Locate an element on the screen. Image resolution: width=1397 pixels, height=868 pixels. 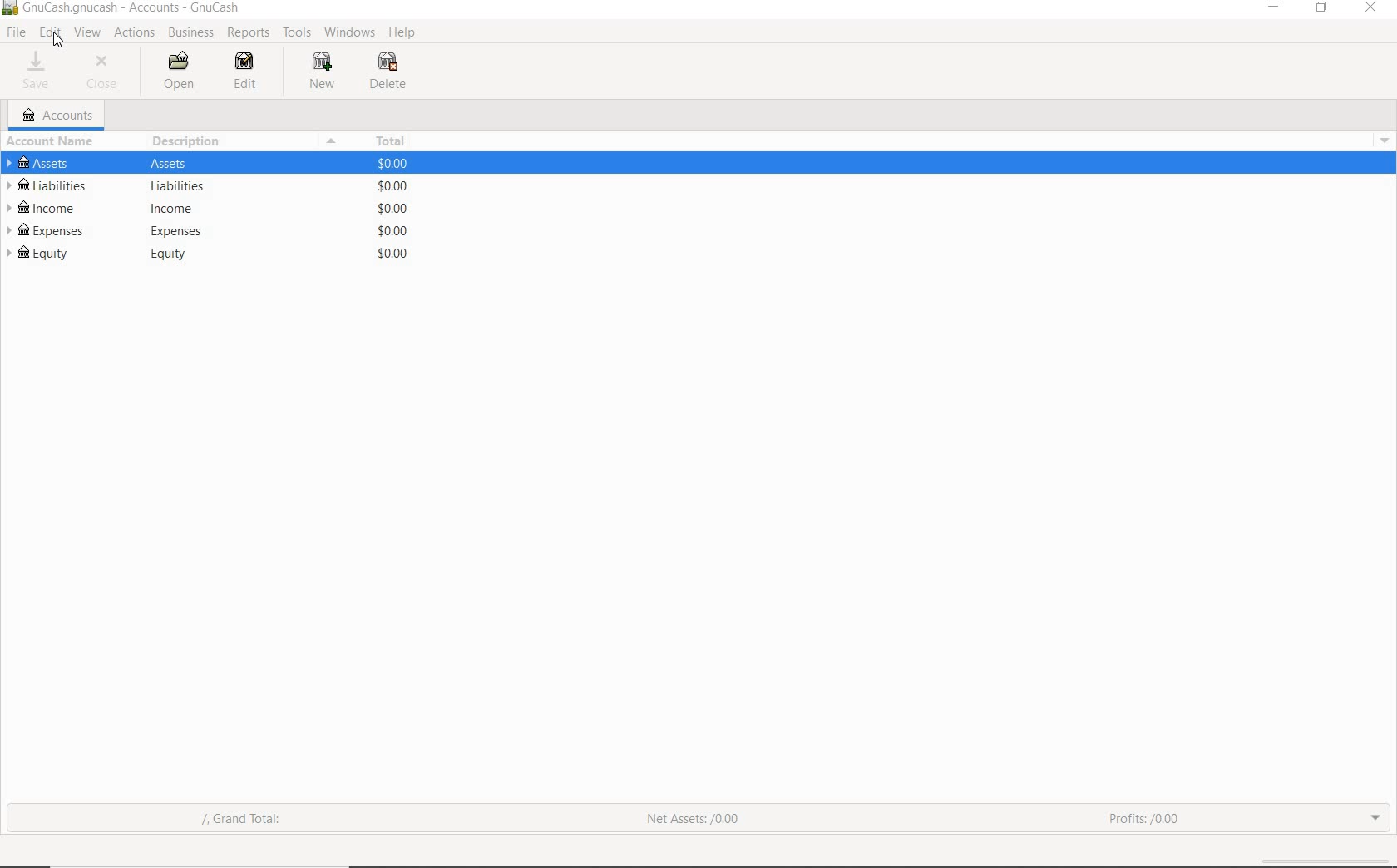
FILE is located at coordinates (15, 33).